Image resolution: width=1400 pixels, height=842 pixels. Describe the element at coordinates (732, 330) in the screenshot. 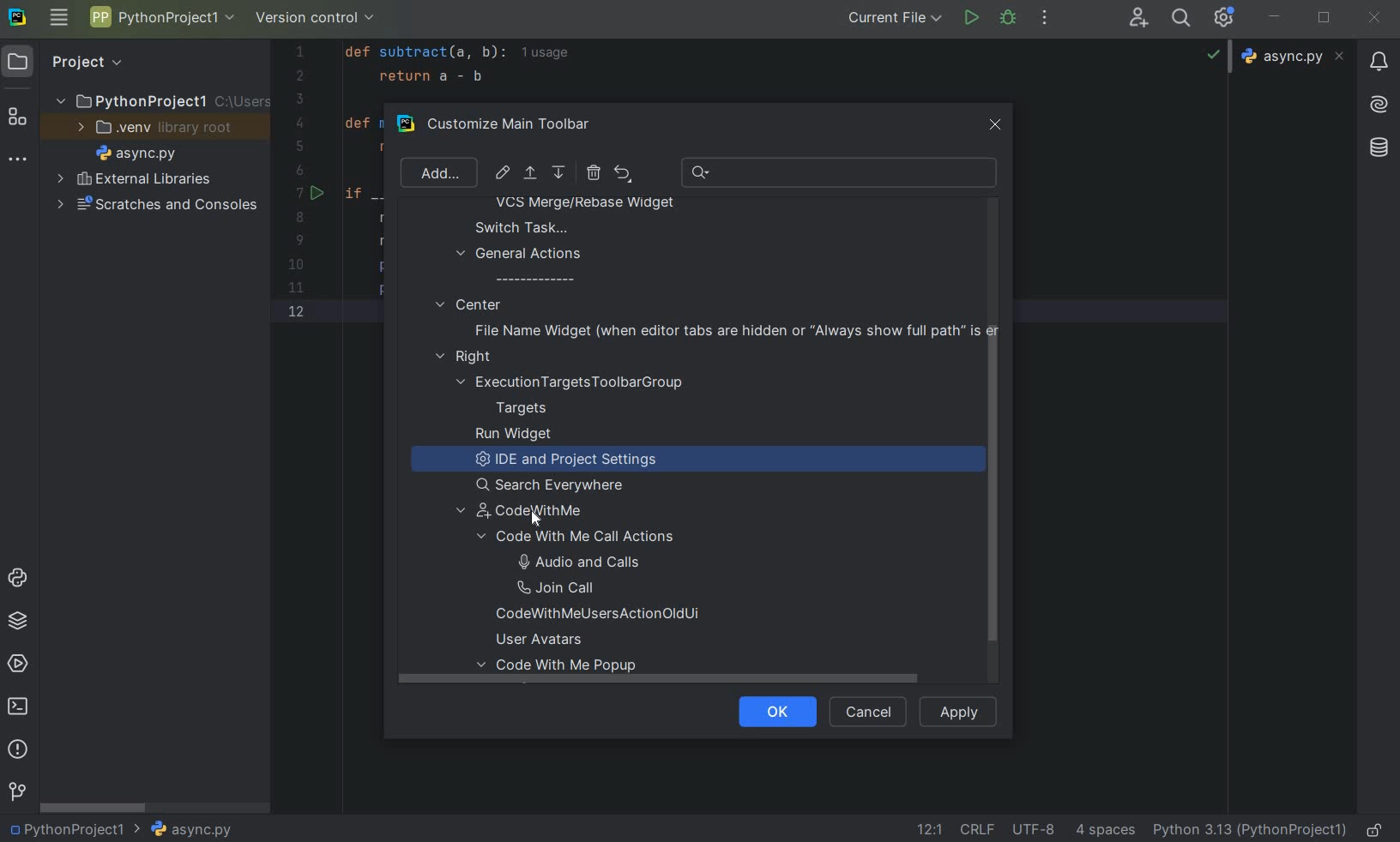

I see `file name widget` at that location.